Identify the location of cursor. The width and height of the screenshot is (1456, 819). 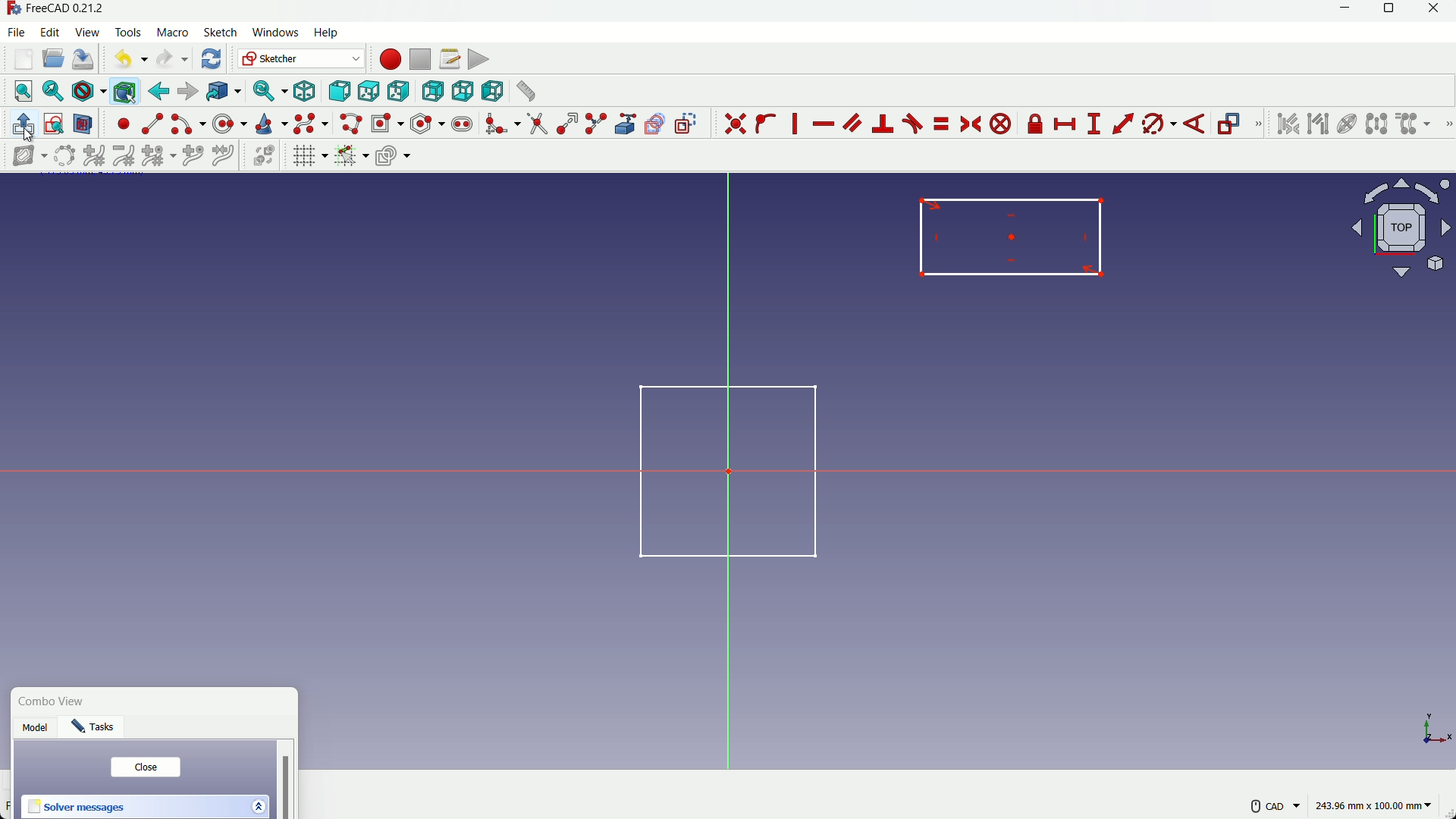
(27, 134).